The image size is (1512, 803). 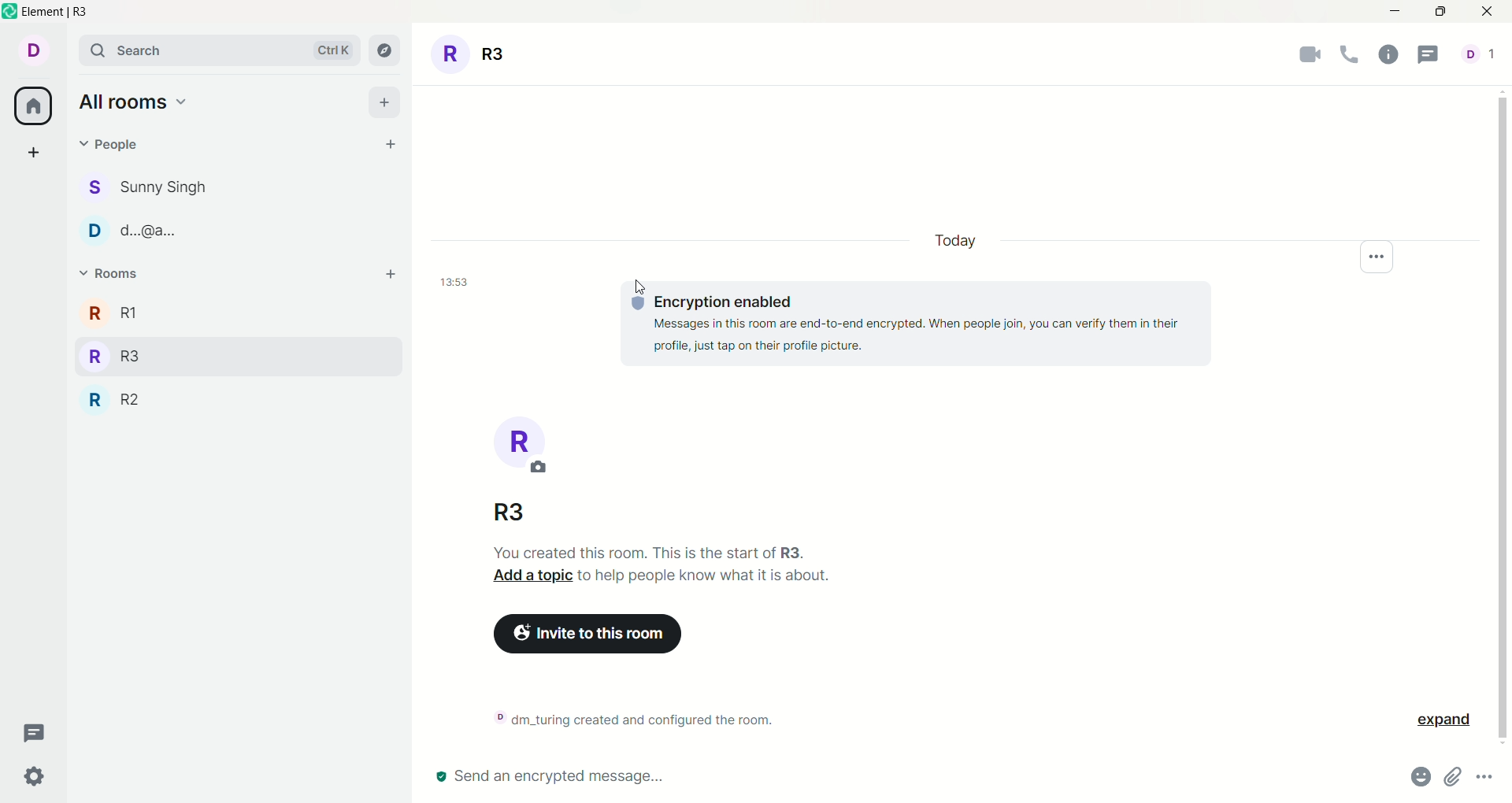 I want to click on account, so click(x=1484, y=61).